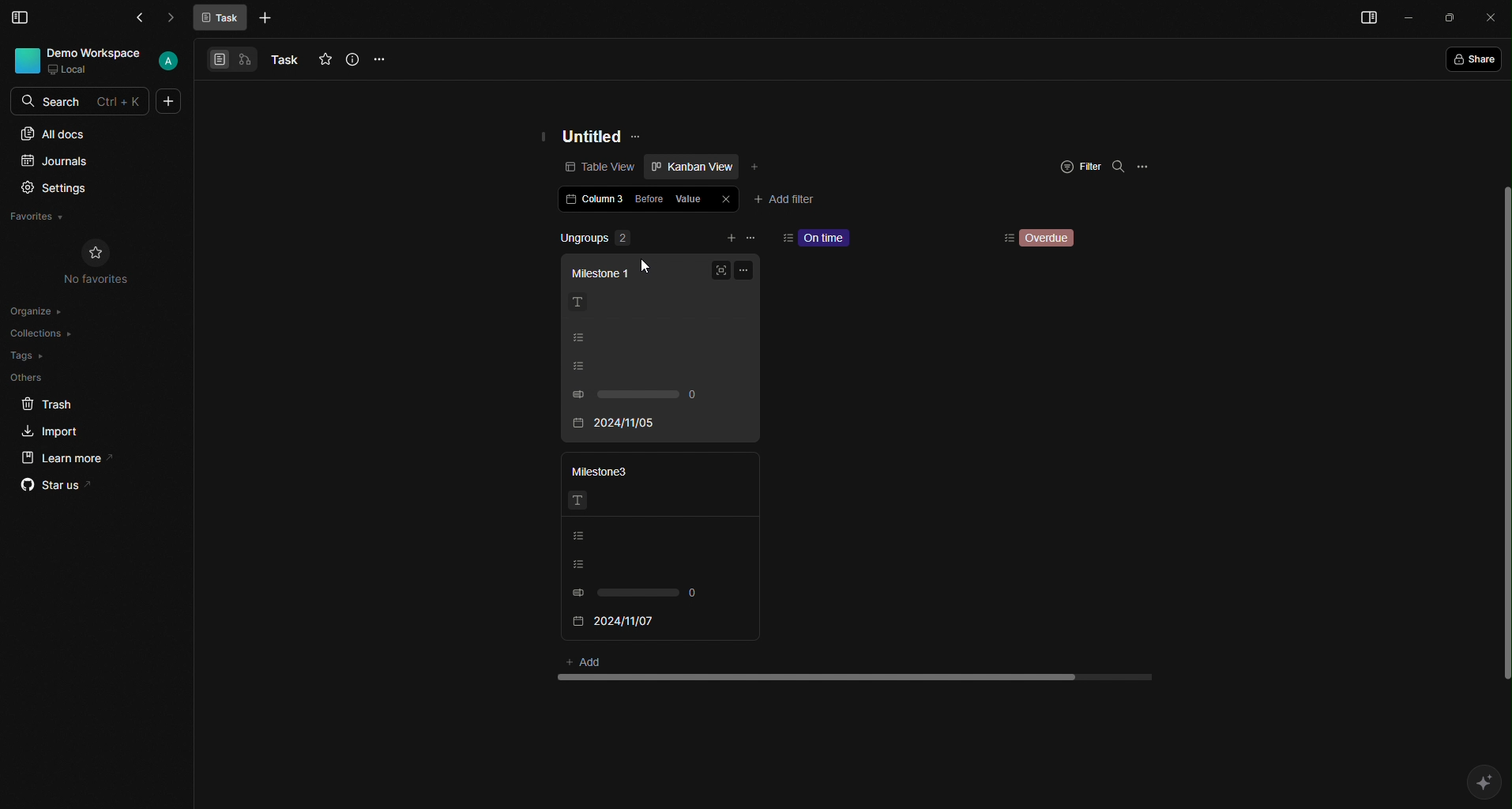 Image resolution: width=1512 pixels, height=809 pixels. I want to click on Cursor, so click(646, 268).